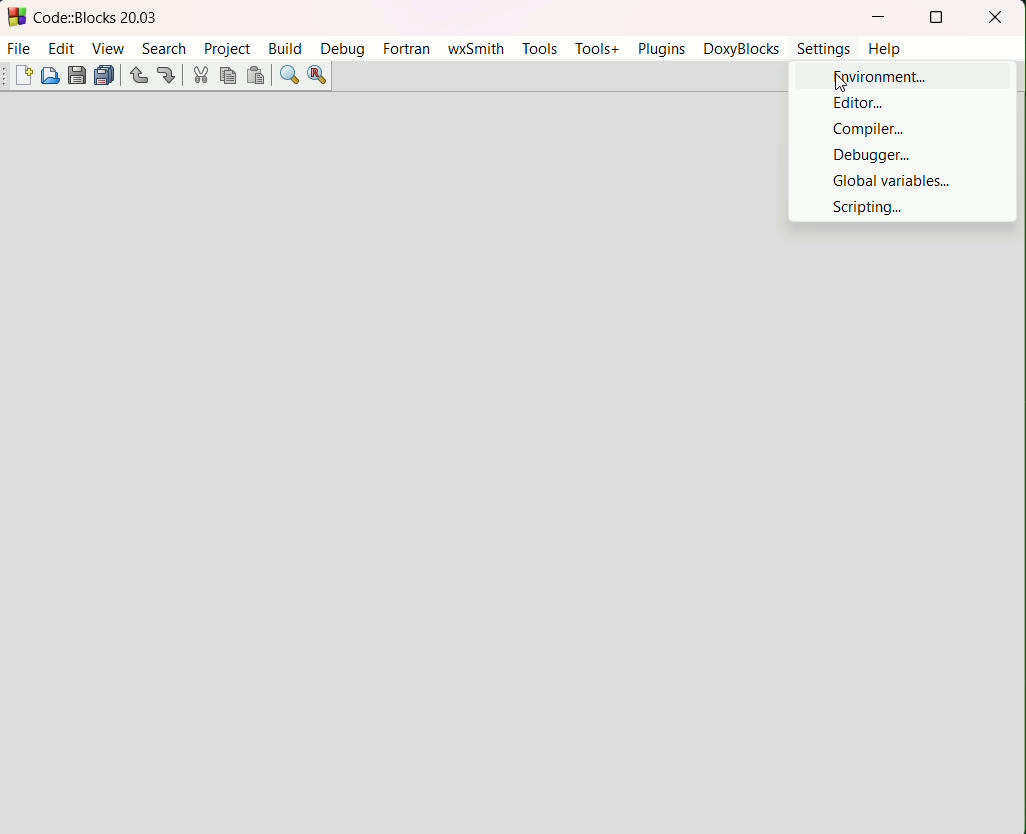 The width and height of the screenshot is (1026, 834). What do you see at coordinates (168, 76) in the screenshot?
I see `redo` at bounding box center [168, 76].